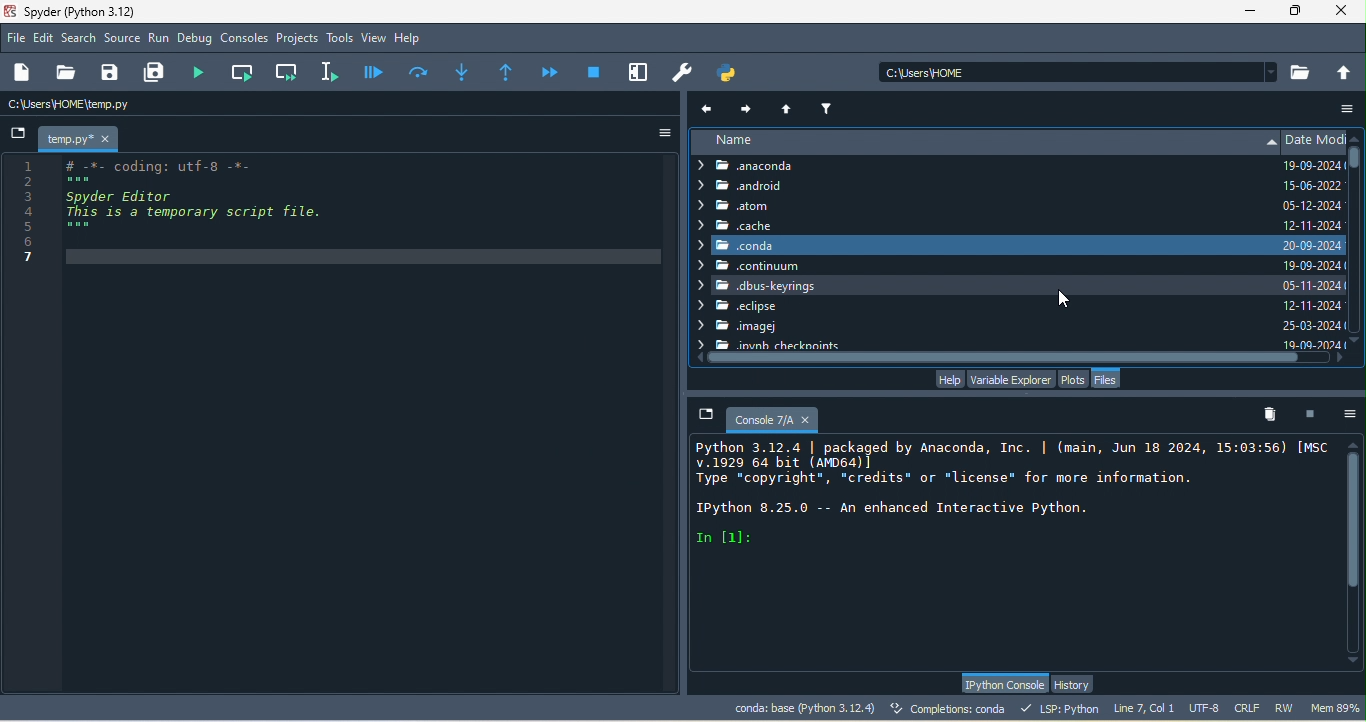 This screenshot has width=1366, height=722. I want to click on search, so click(80, 38).